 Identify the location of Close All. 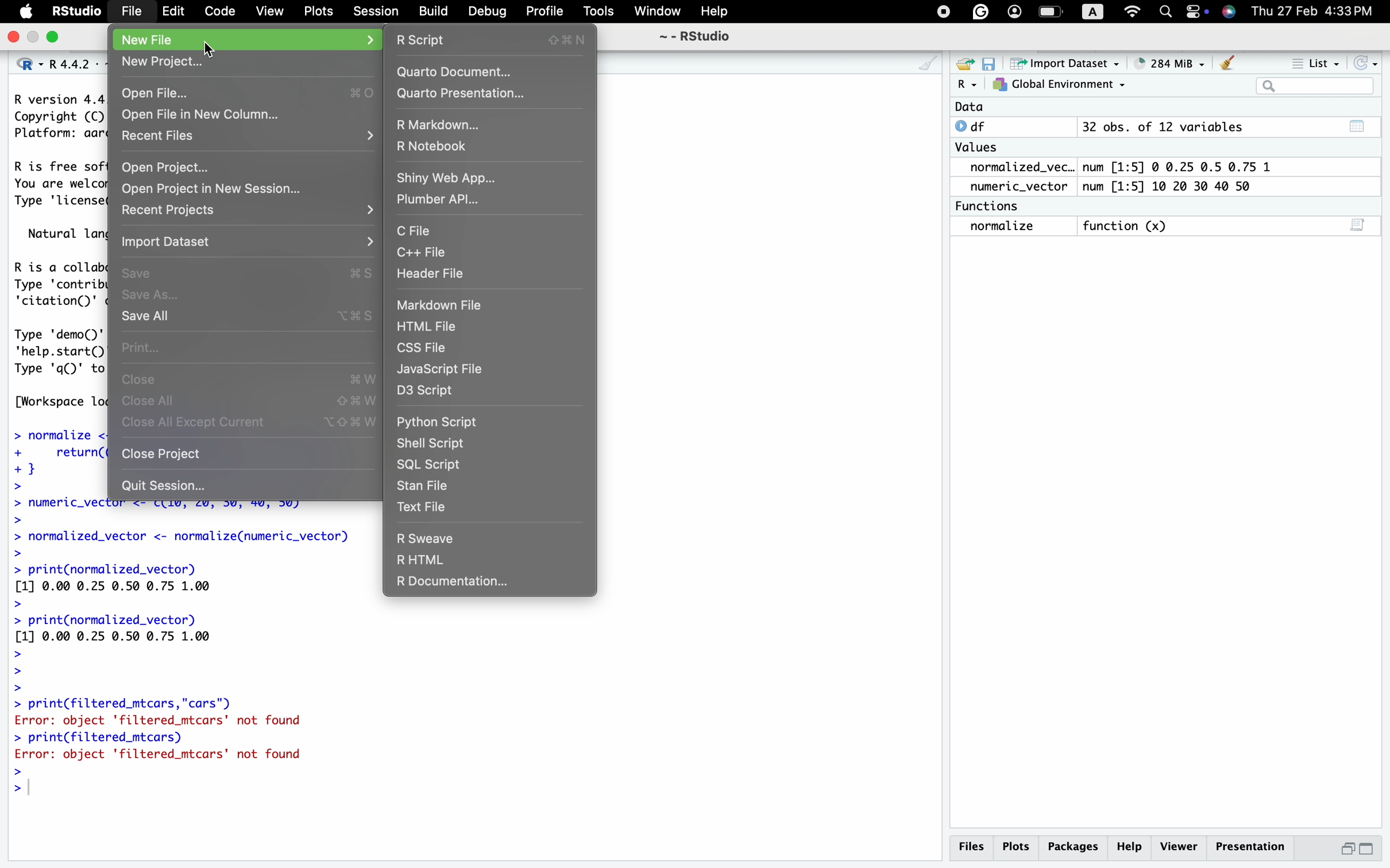
(247, 400).